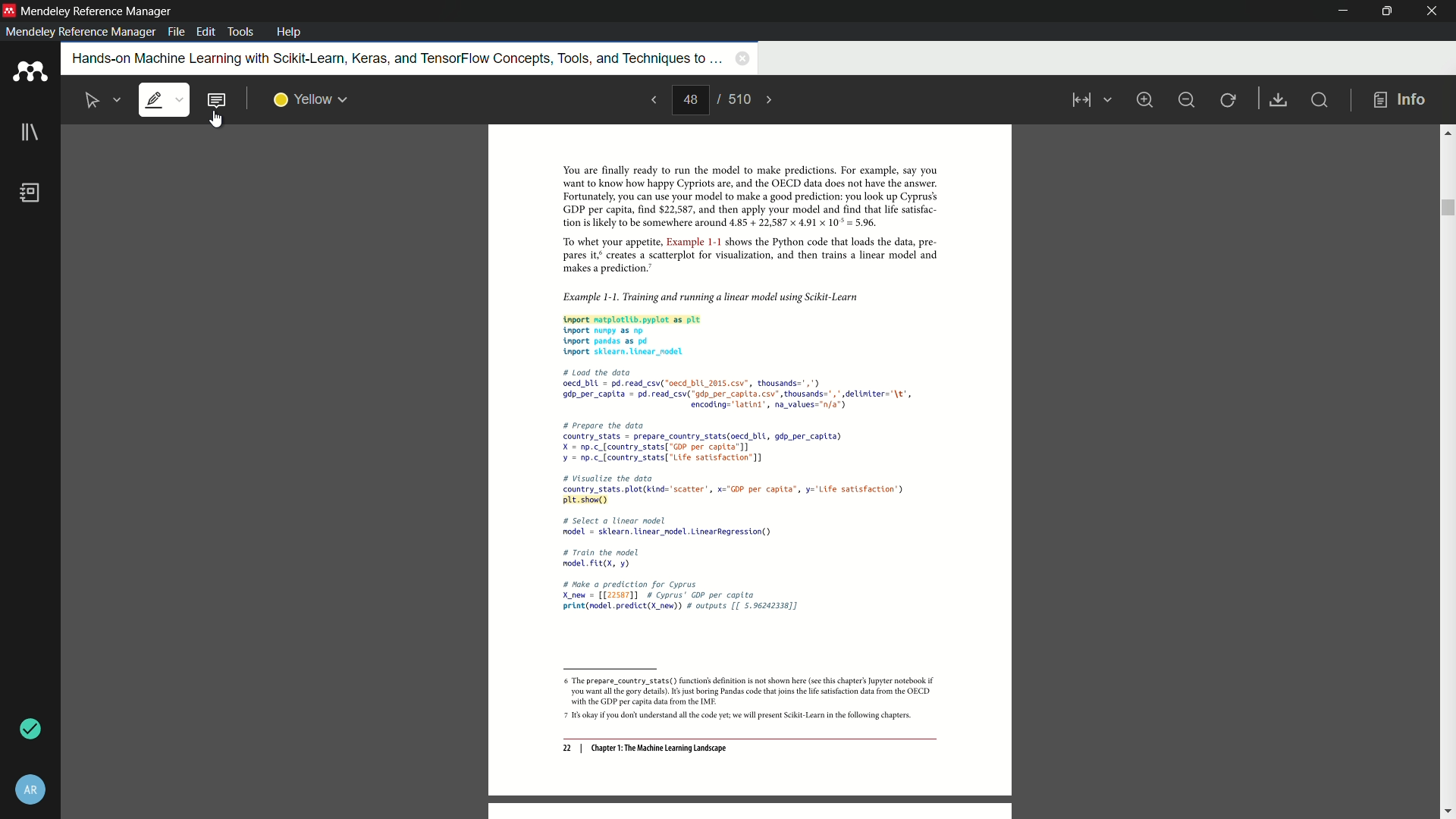  Describe the element at coordinates (289, 32) in the screenshot. I see `help menu` at that location.